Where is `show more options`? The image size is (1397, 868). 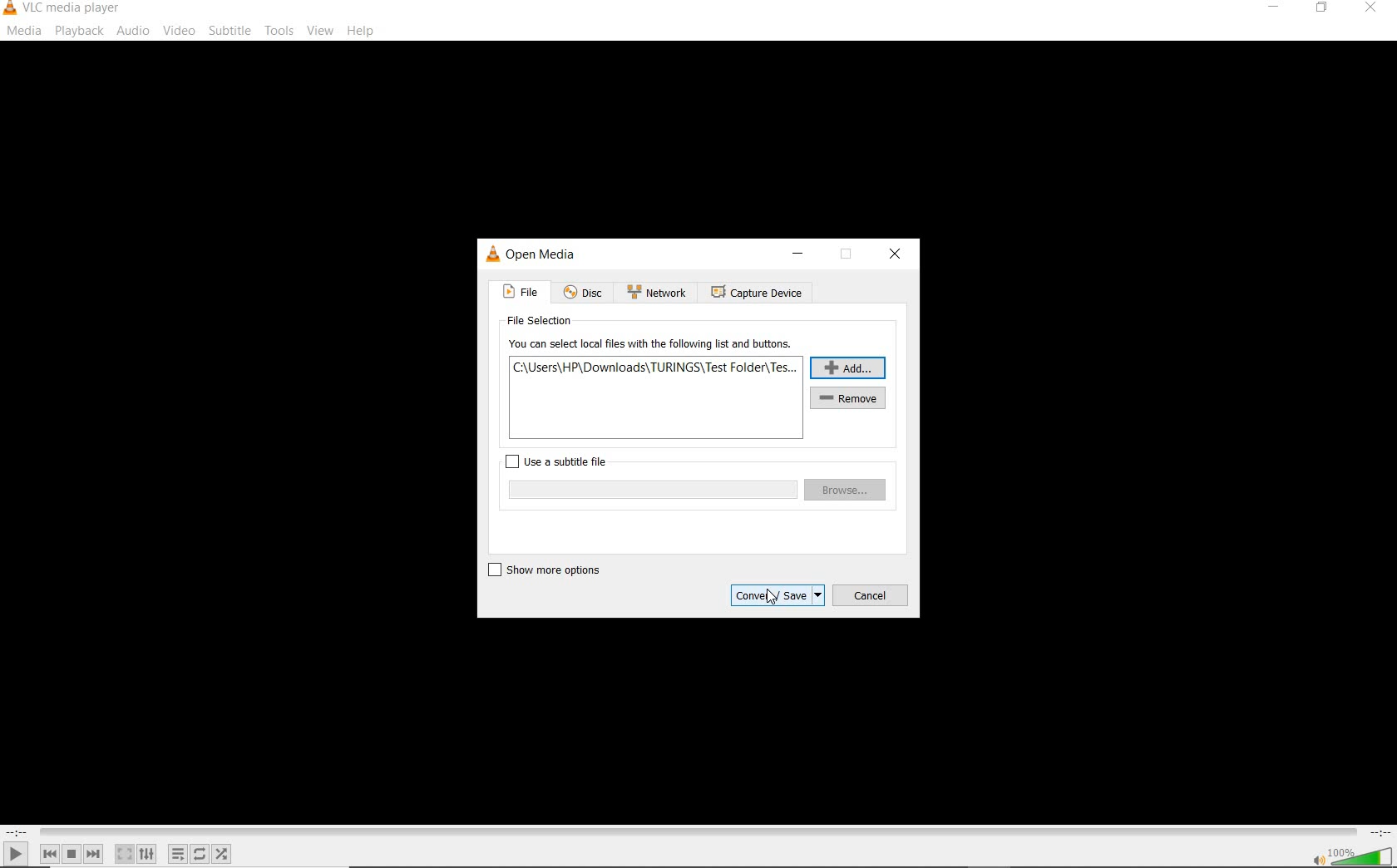
show more options is located at coordinates (550, 570).